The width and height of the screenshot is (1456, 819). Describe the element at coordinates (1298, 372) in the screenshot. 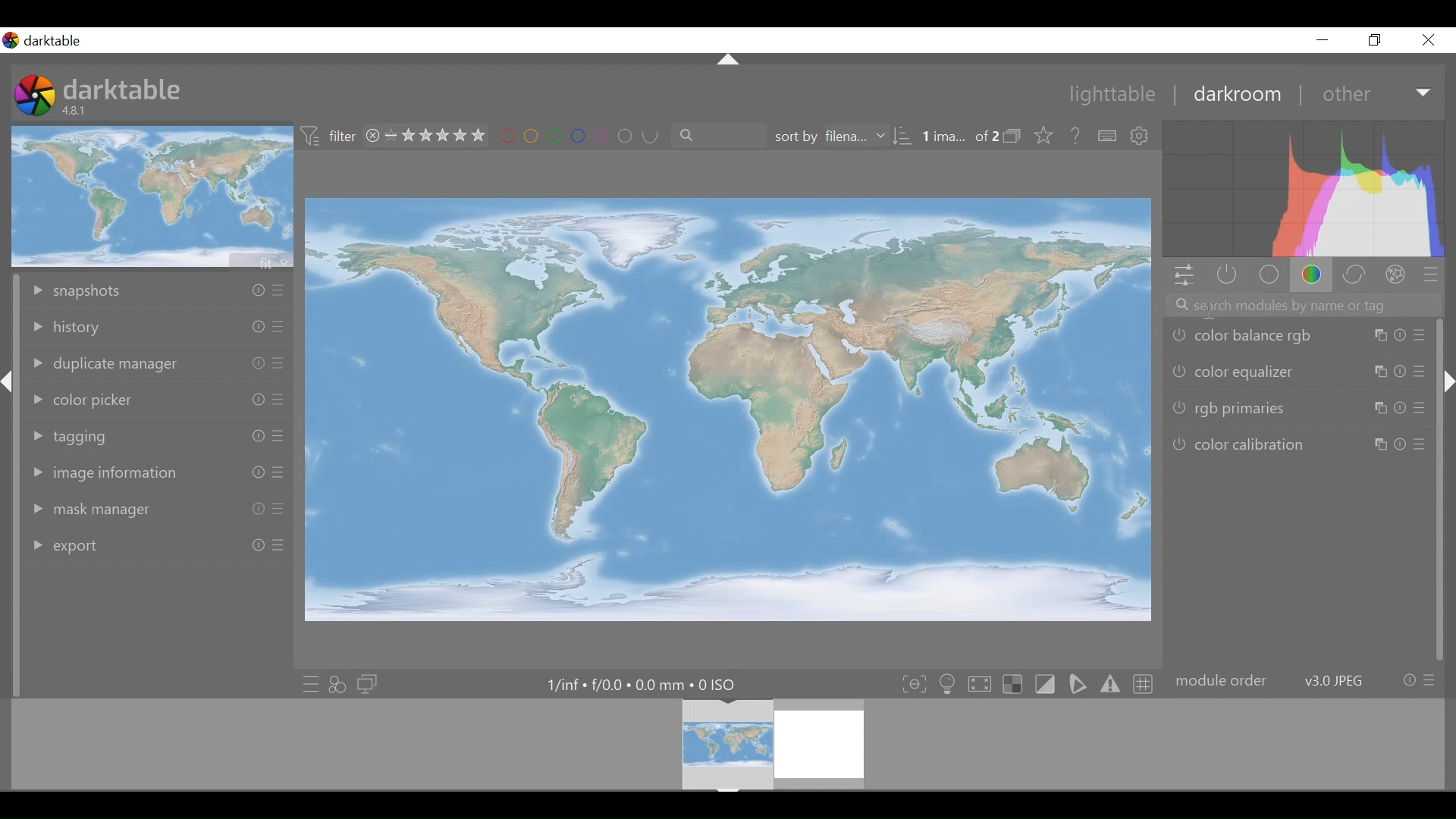

I see `color equalizer` at that location.